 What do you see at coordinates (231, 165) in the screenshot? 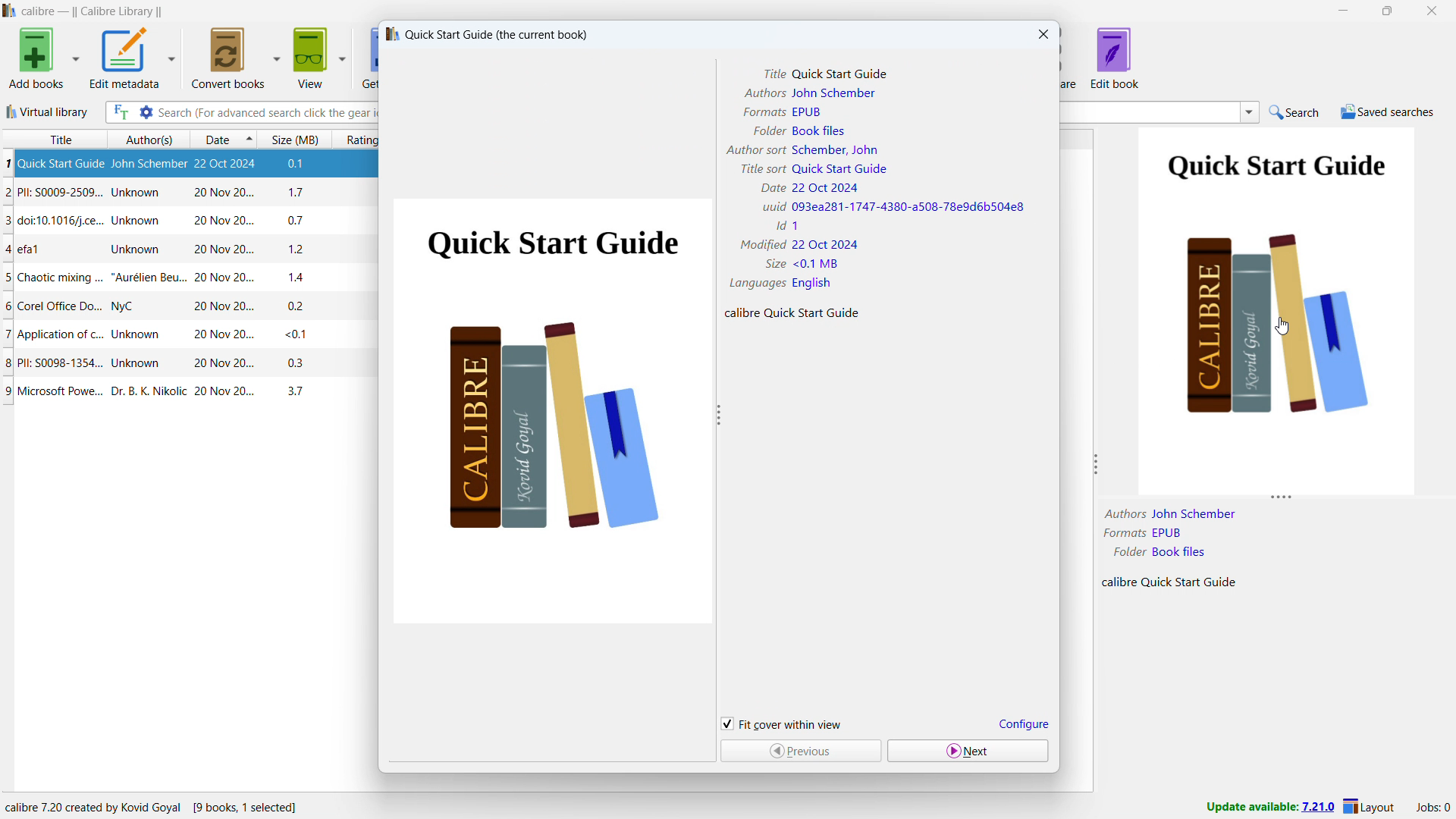
I see `22 Oct 2024` at bounding box center [231, 165].